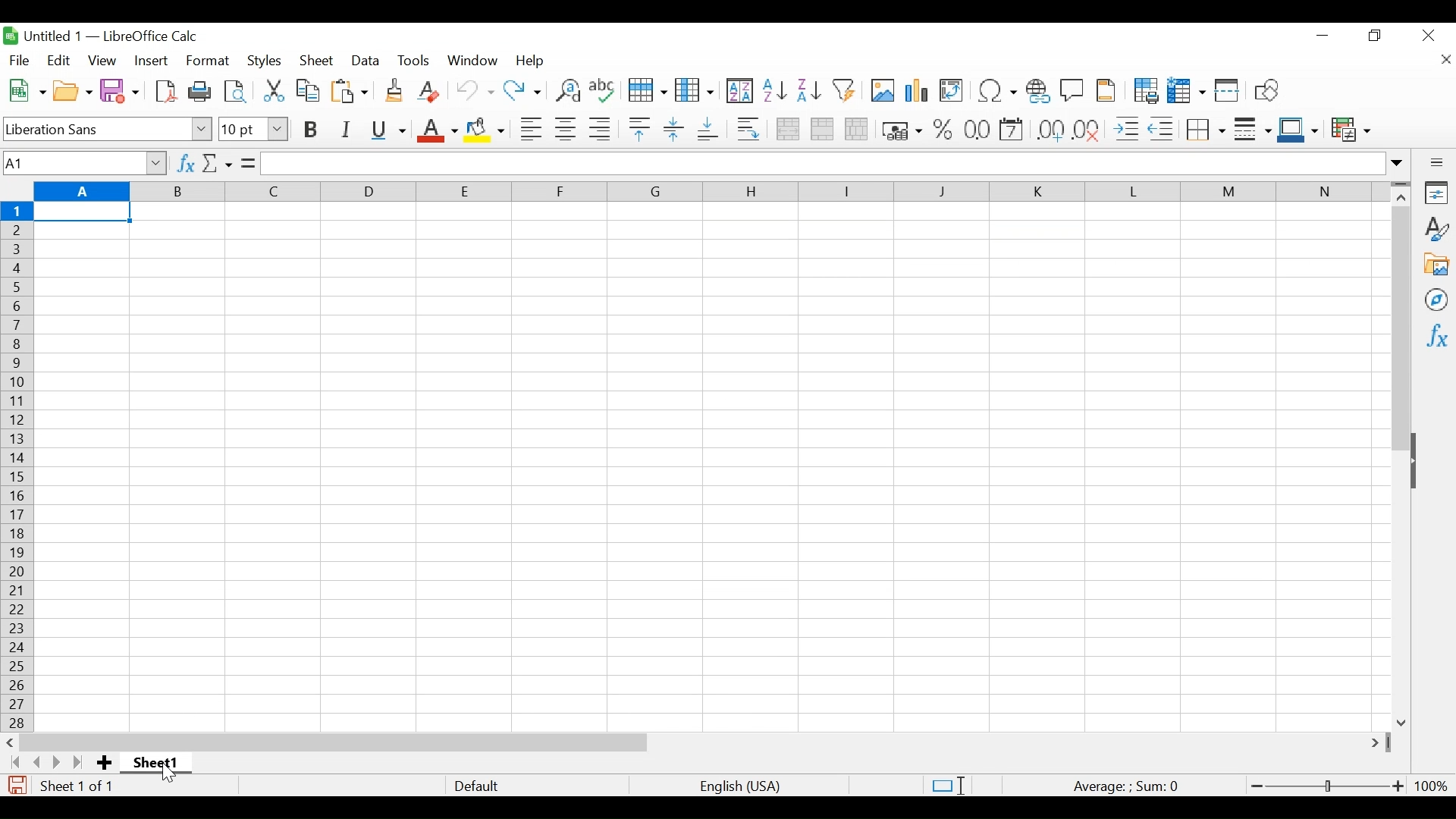 The image size is (1456, 819). What do you see at coordinates (393, 91) in the screenshot?
I see `Clone Formatting` at bounding box center [393, 91].